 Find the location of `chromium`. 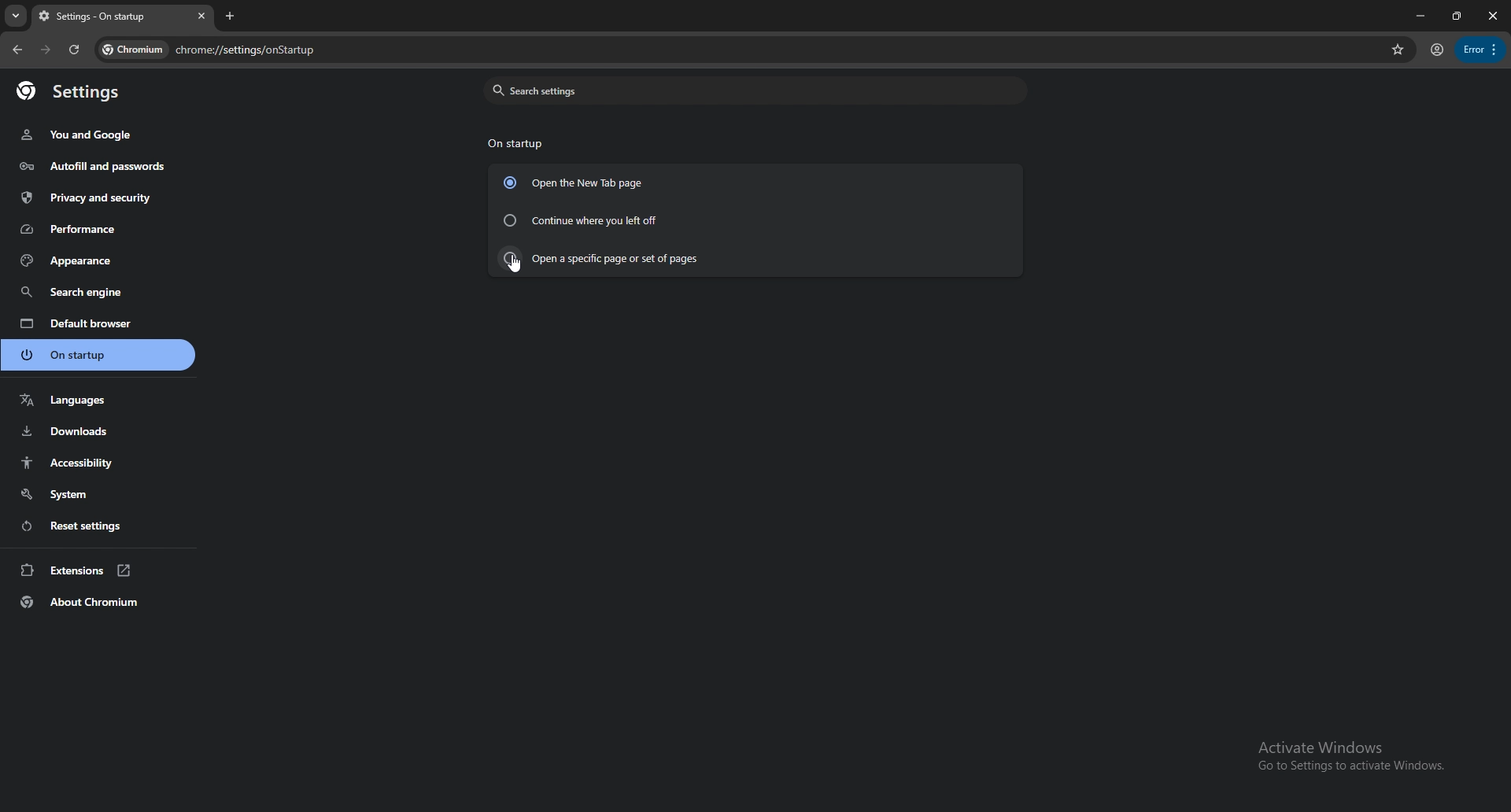

chromium is located at coordinates (133, 50).